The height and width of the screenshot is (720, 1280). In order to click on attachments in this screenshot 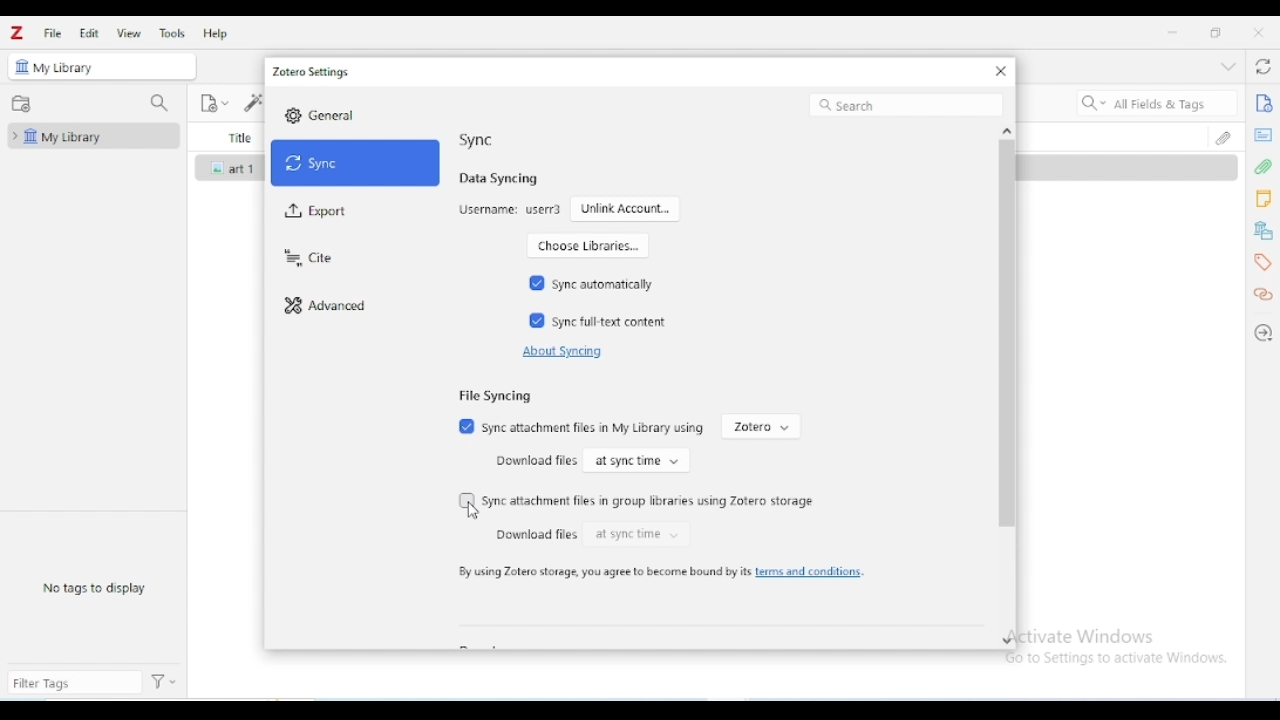, I will do `click(1264, 167)`.